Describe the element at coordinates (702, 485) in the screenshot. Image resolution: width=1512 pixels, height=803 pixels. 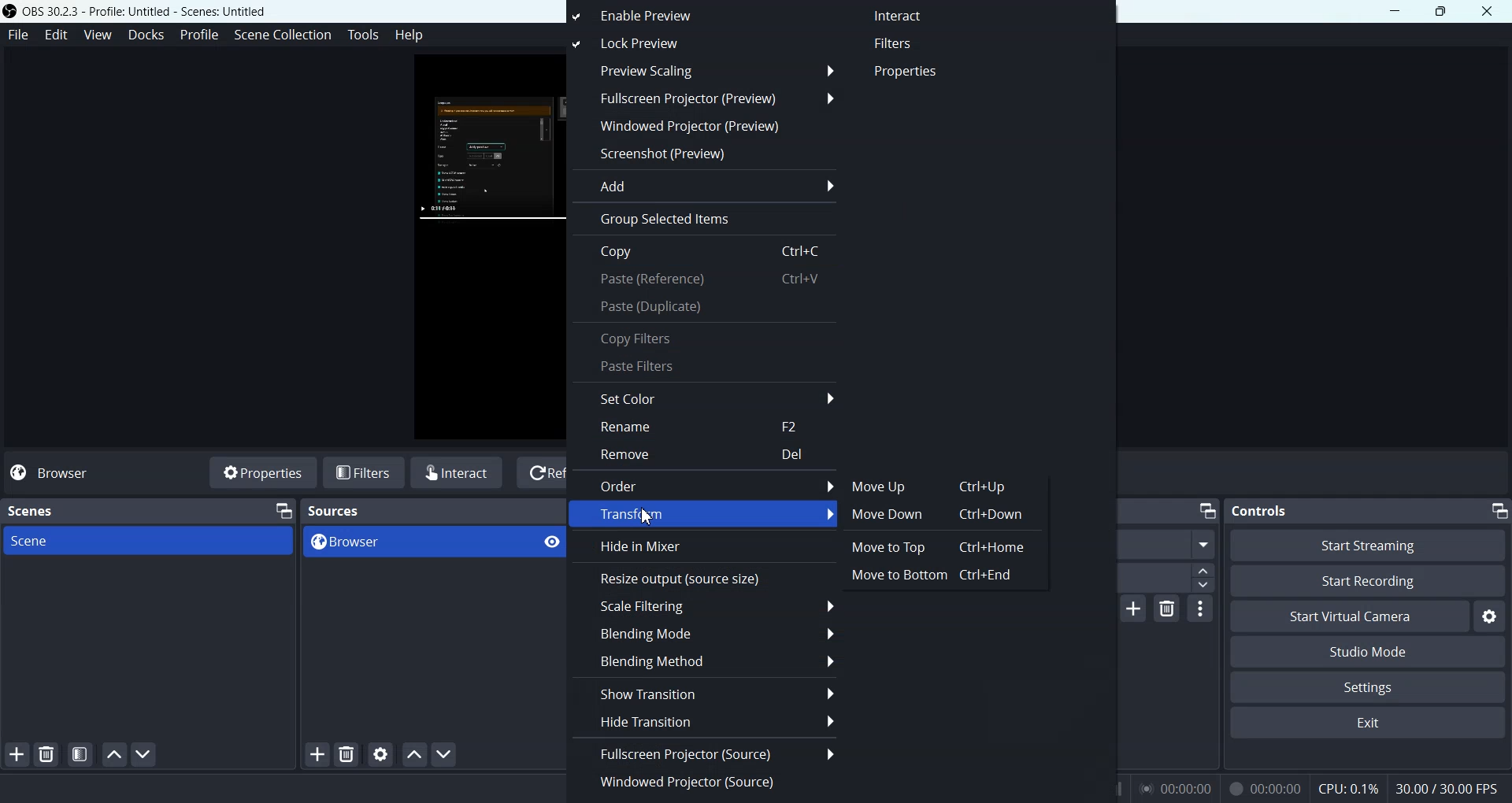
I see `Order` at that location.